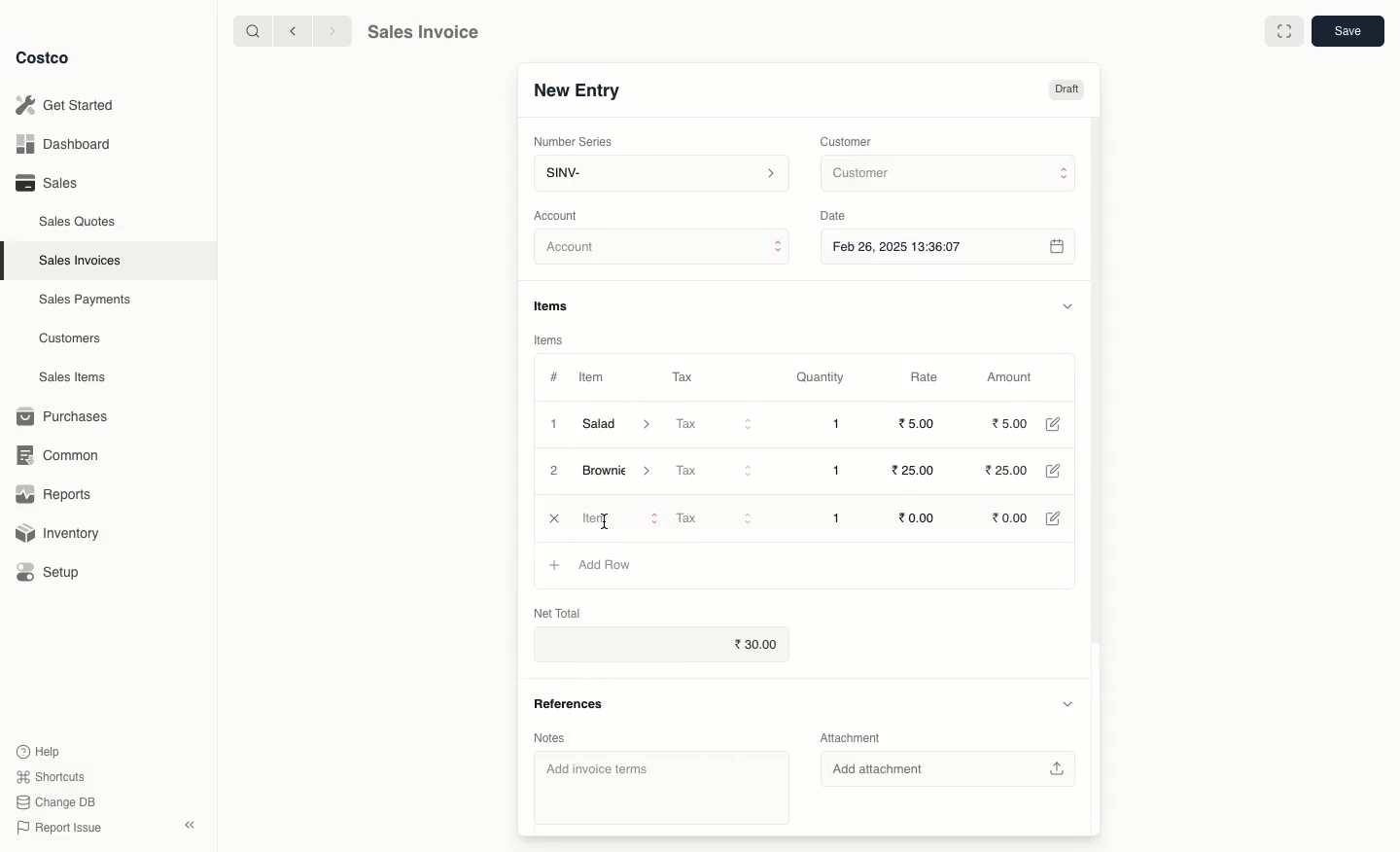 This screenshot has height=852, width=1400. Describe the element at coordinates (1007, 517) in the screenshot. I see `0.00` at that location.